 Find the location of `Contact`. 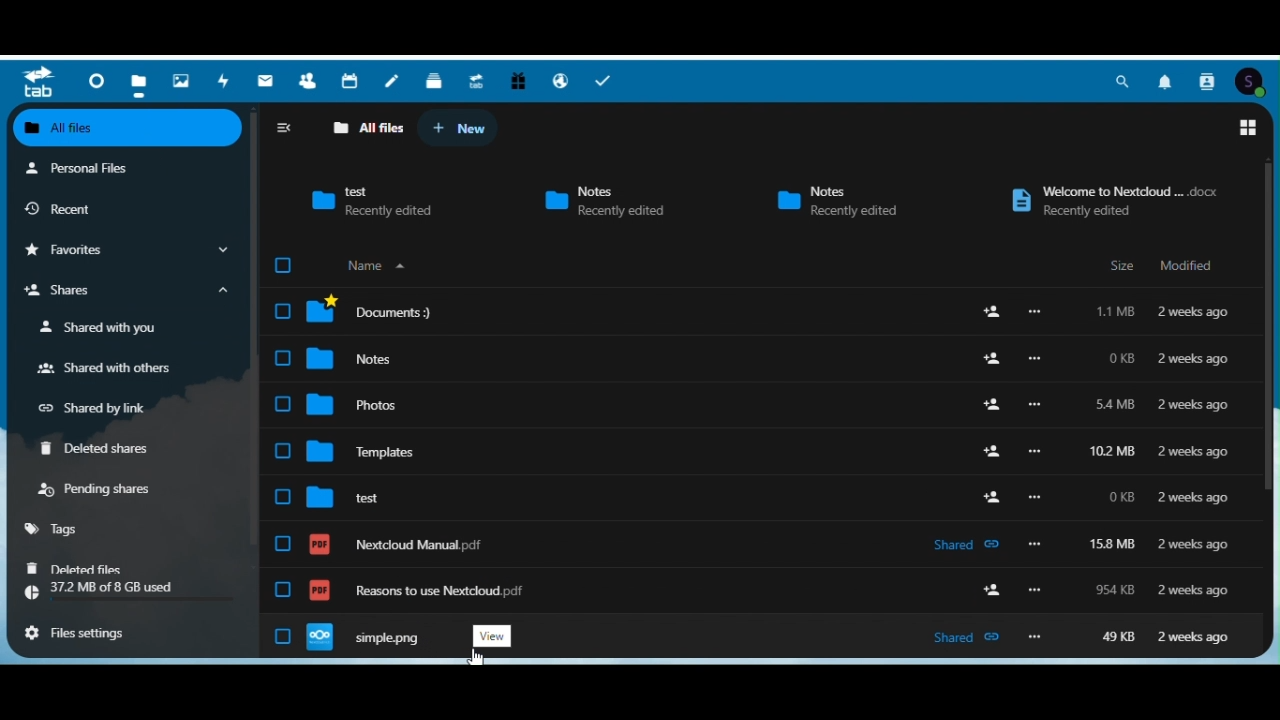

Contact is located at coordinates (1207, 81).